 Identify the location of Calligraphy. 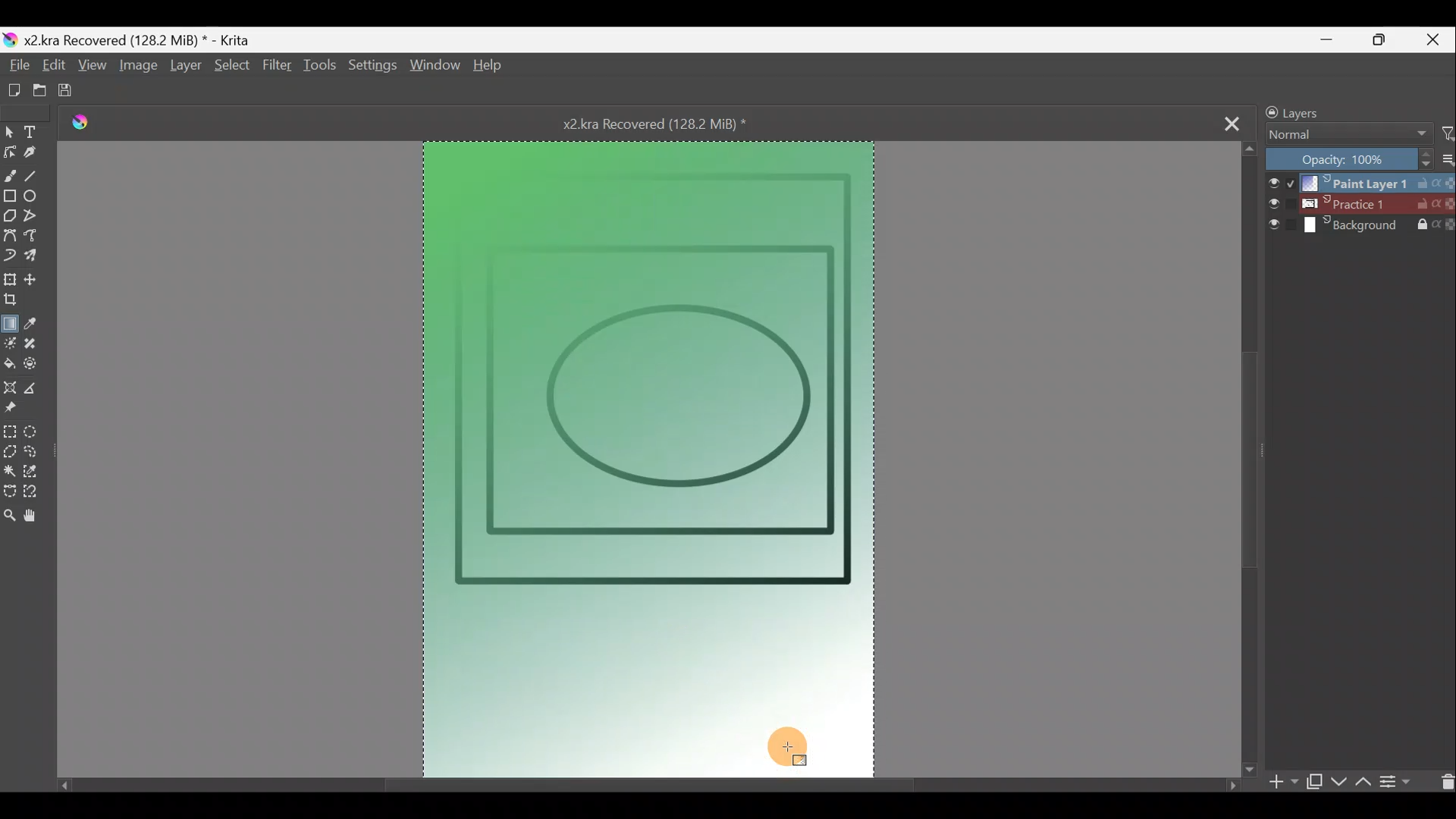
(30, 157).